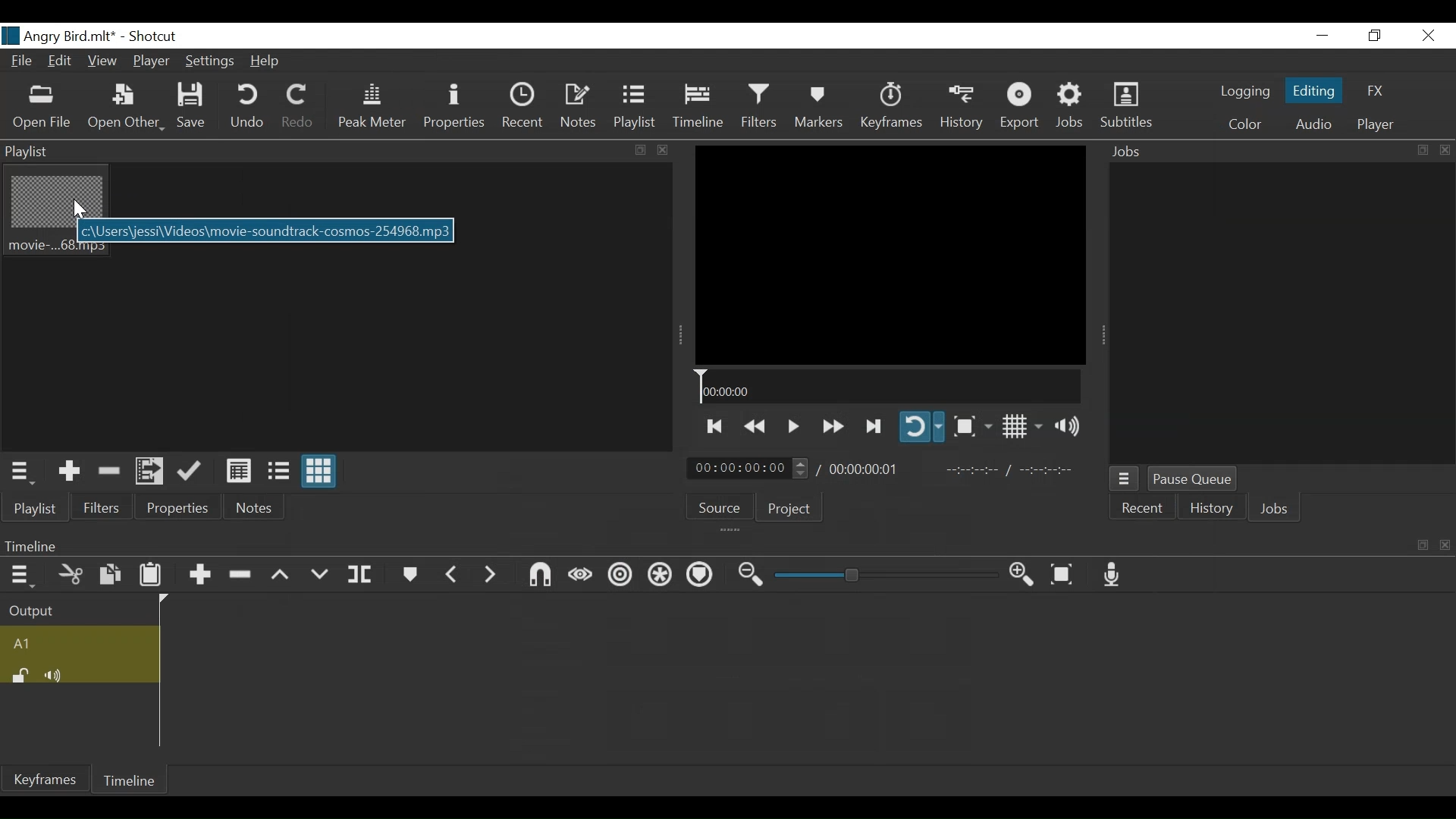  Describe the element at coordinates (70, 472) in the screenshot. I see `Add the Source to the playlist` at that location.